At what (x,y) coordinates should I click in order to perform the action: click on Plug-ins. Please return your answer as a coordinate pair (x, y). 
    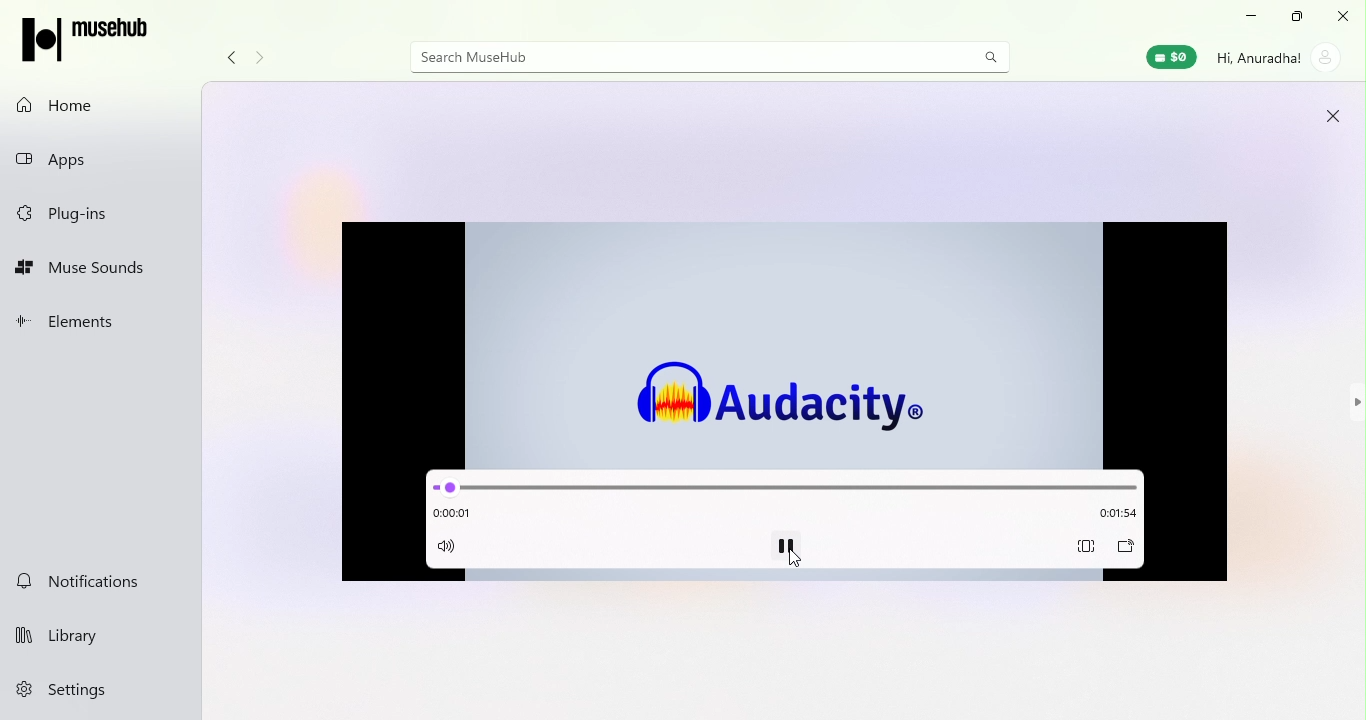
    Looking at the image, I should click on (100, 214).